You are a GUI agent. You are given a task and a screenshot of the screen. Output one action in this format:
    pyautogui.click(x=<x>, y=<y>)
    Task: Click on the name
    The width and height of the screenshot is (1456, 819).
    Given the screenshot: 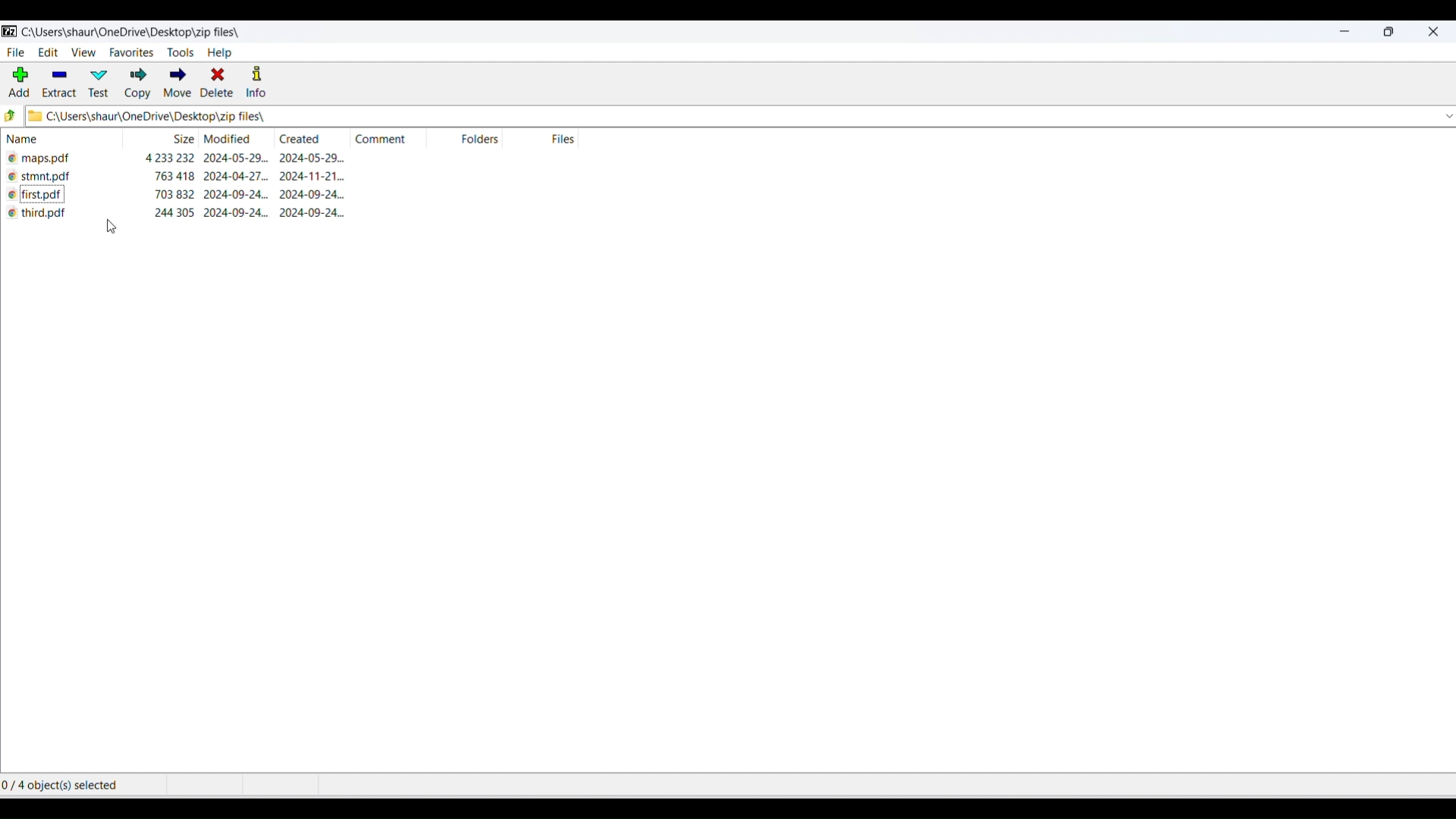 What is the action you would take?
    pyautogui.click(x=69, y=141)
    